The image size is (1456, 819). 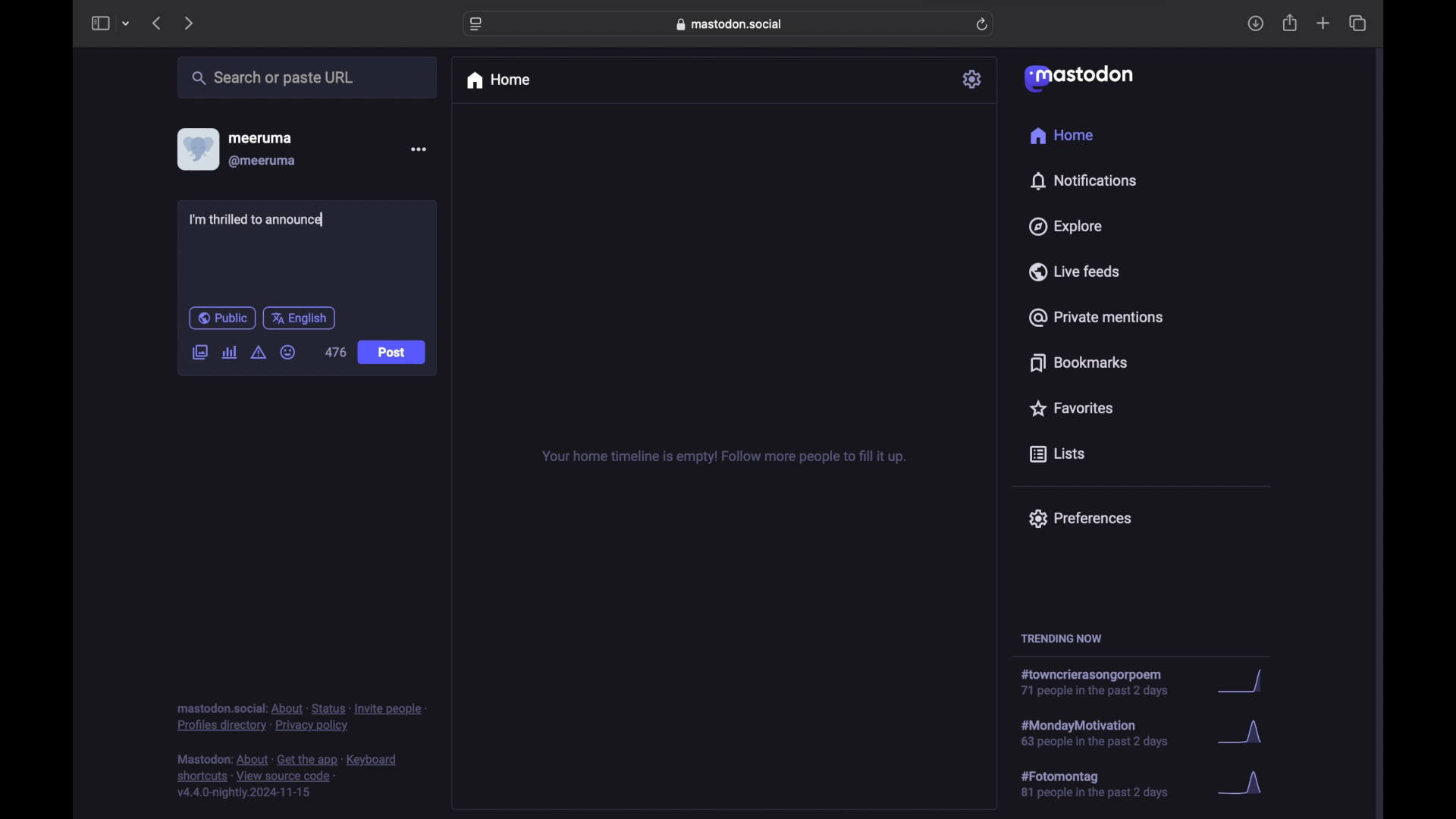 What do you see at coordinates (317, 219) in the screenshot?
I see `text cursor` at bounding box center [317, 219].